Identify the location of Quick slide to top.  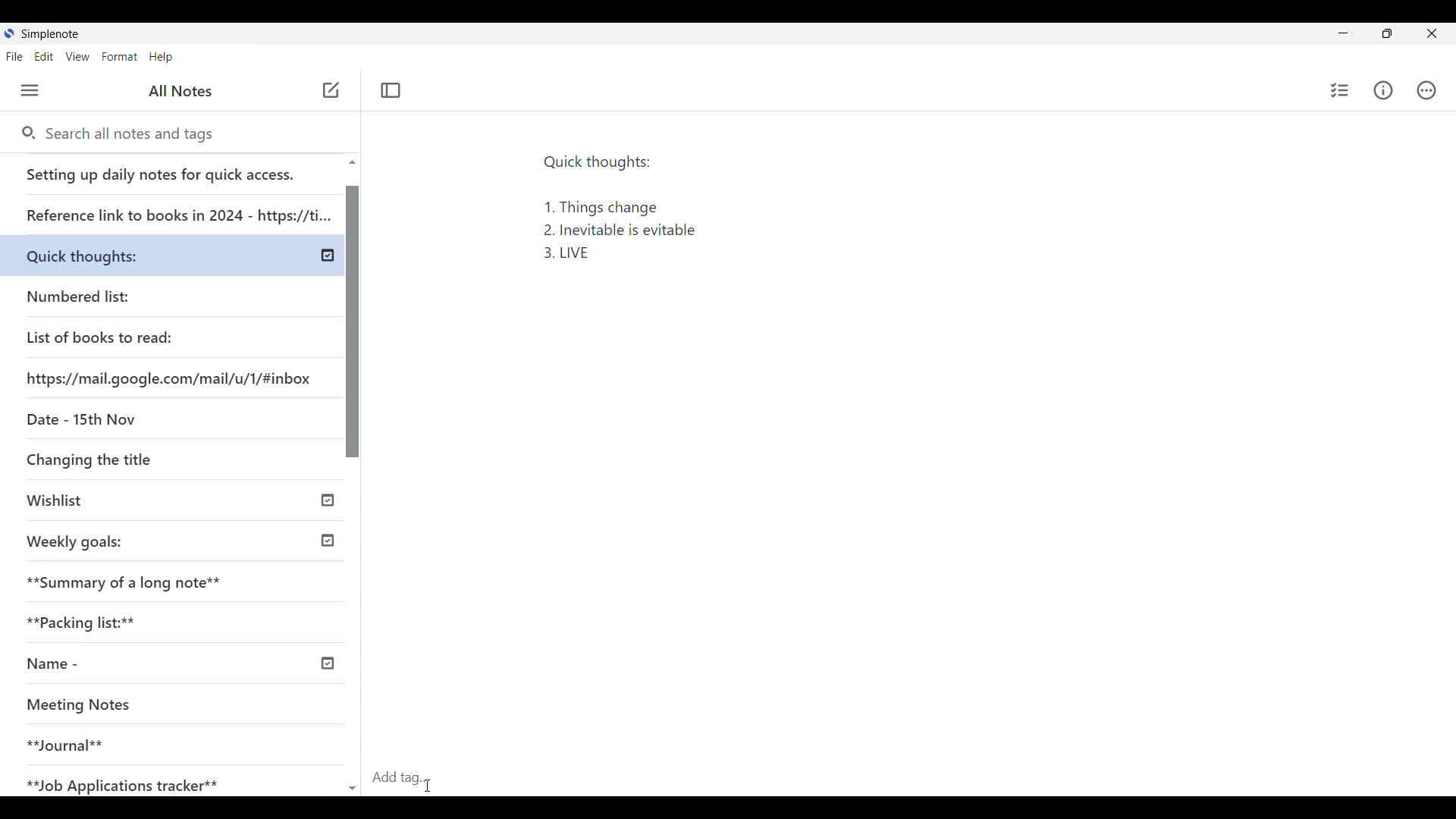
(352, 162).